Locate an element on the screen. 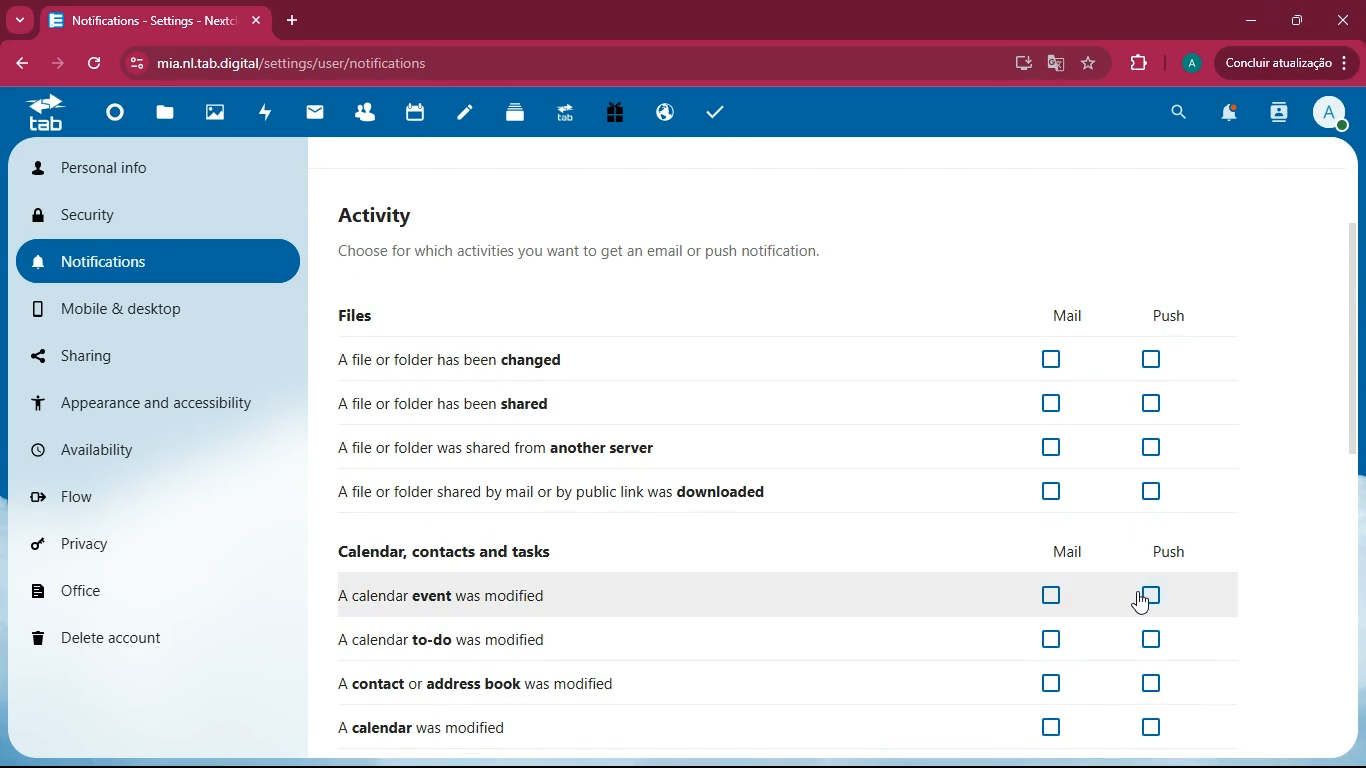 Image resolution: width=1366 pixels, height=768 pixels. A calendar to-do was modified is located at coordinates (437, 640).